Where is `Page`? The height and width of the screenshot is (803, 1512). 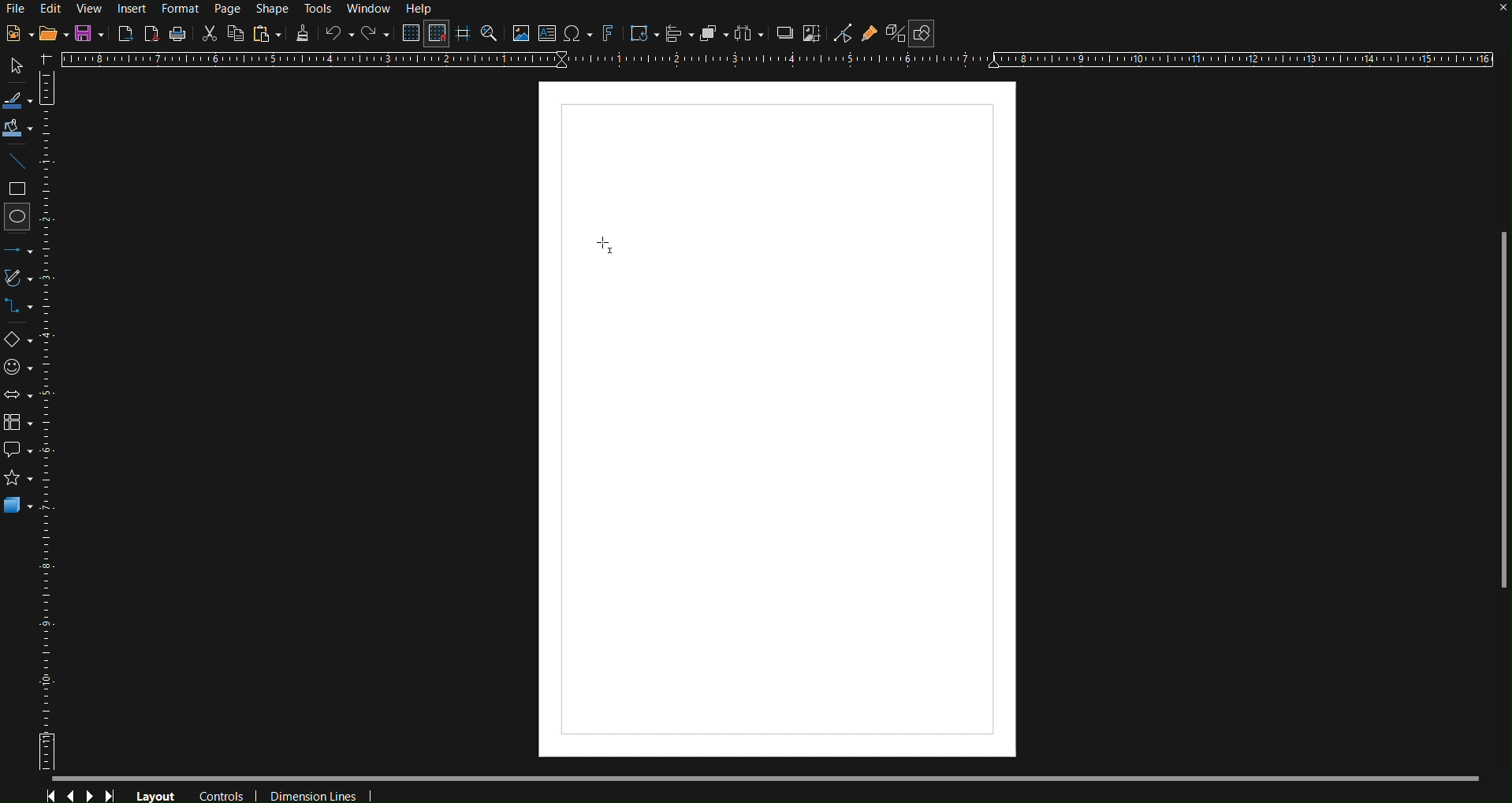 Page is located at coordinates (230, 9).